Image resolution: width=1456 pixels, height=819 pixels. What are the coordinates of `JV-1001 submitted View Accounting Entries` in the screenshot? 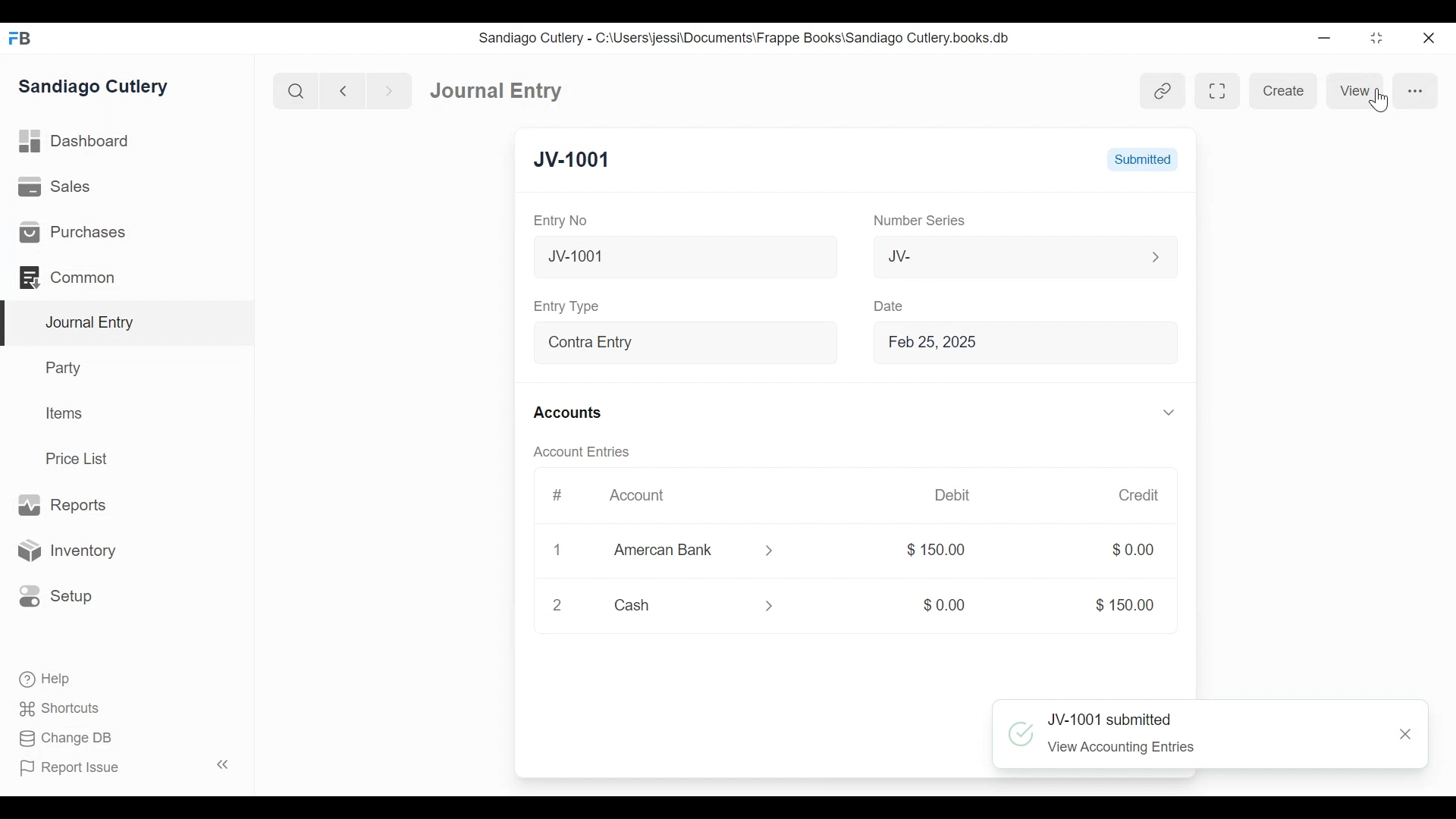 It's located at (1190, 736).